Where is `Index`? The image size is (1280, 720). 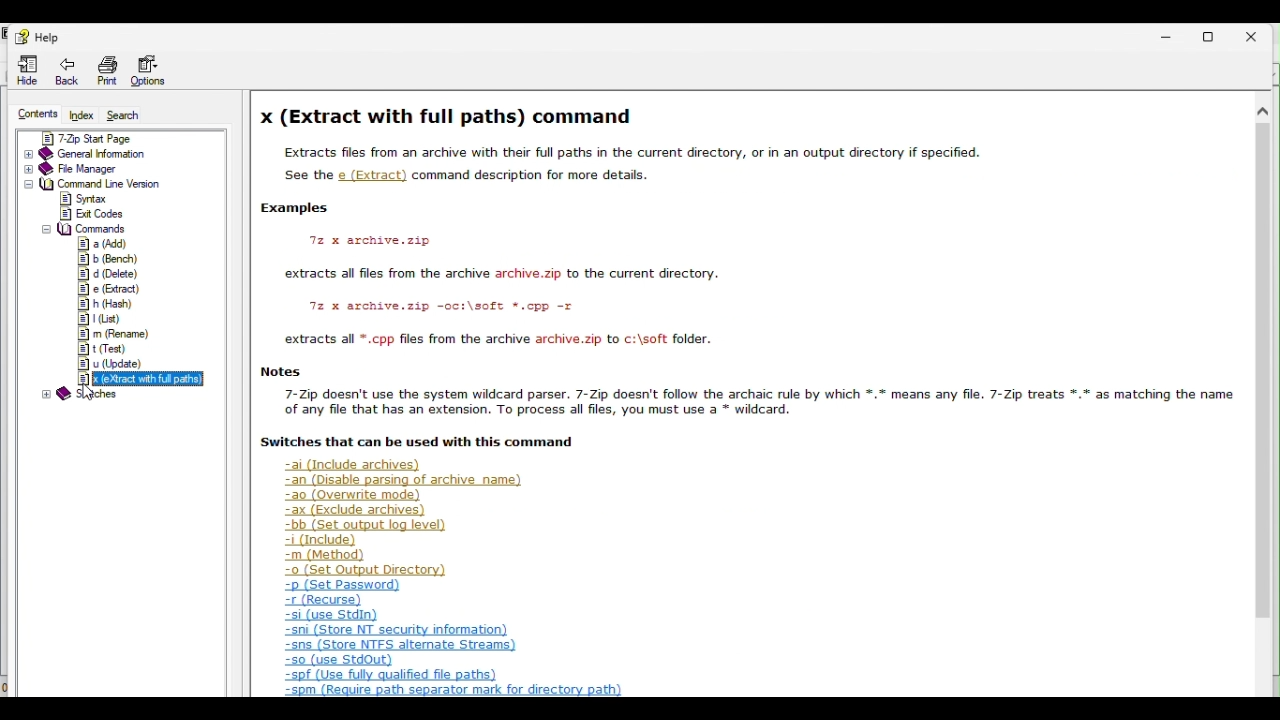
Index is located at coordinates (84, 117).